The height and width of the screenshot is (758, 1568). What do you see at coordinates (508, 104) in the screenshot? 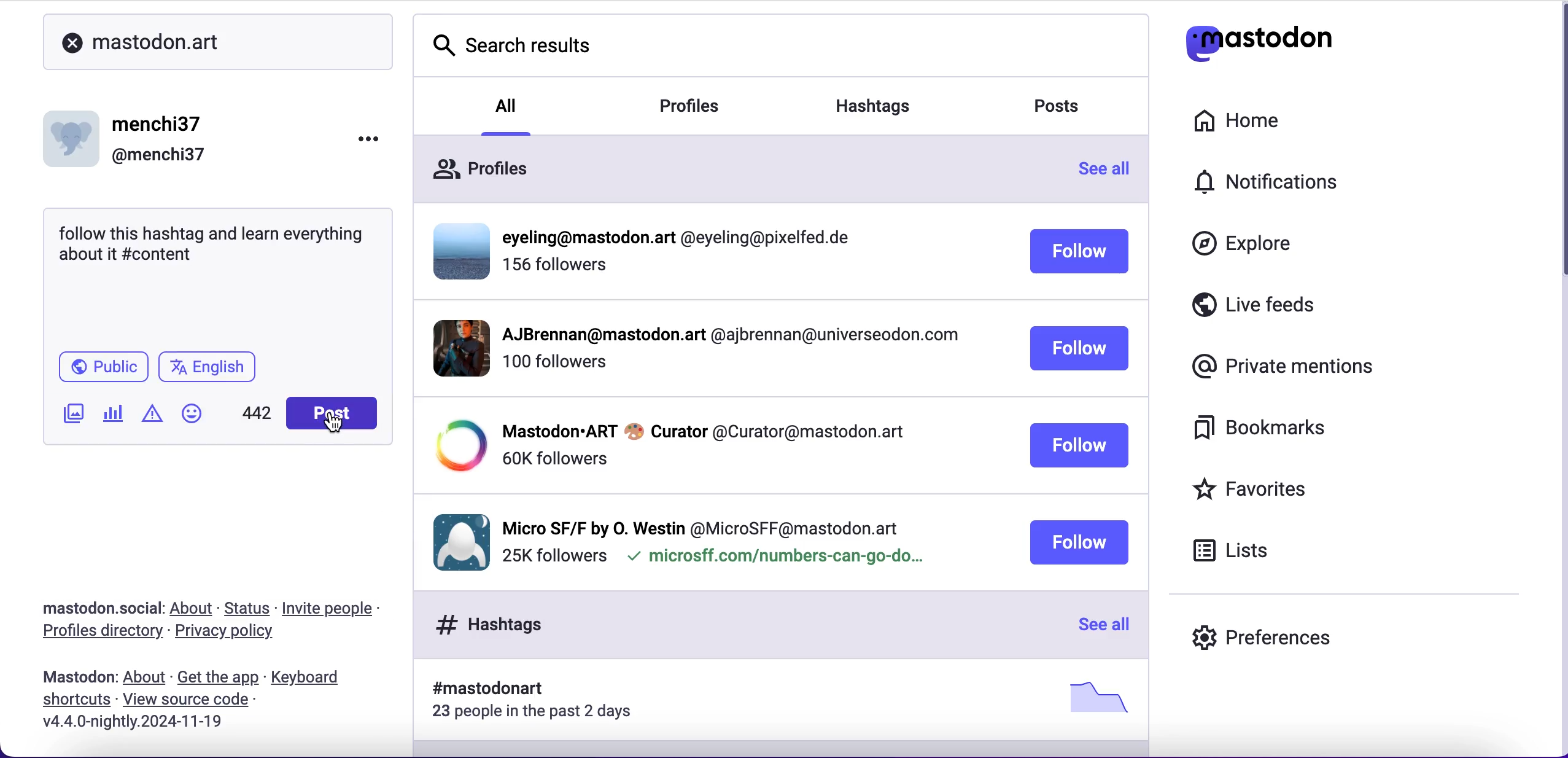
I see `all` at bounding box center [508, 104].